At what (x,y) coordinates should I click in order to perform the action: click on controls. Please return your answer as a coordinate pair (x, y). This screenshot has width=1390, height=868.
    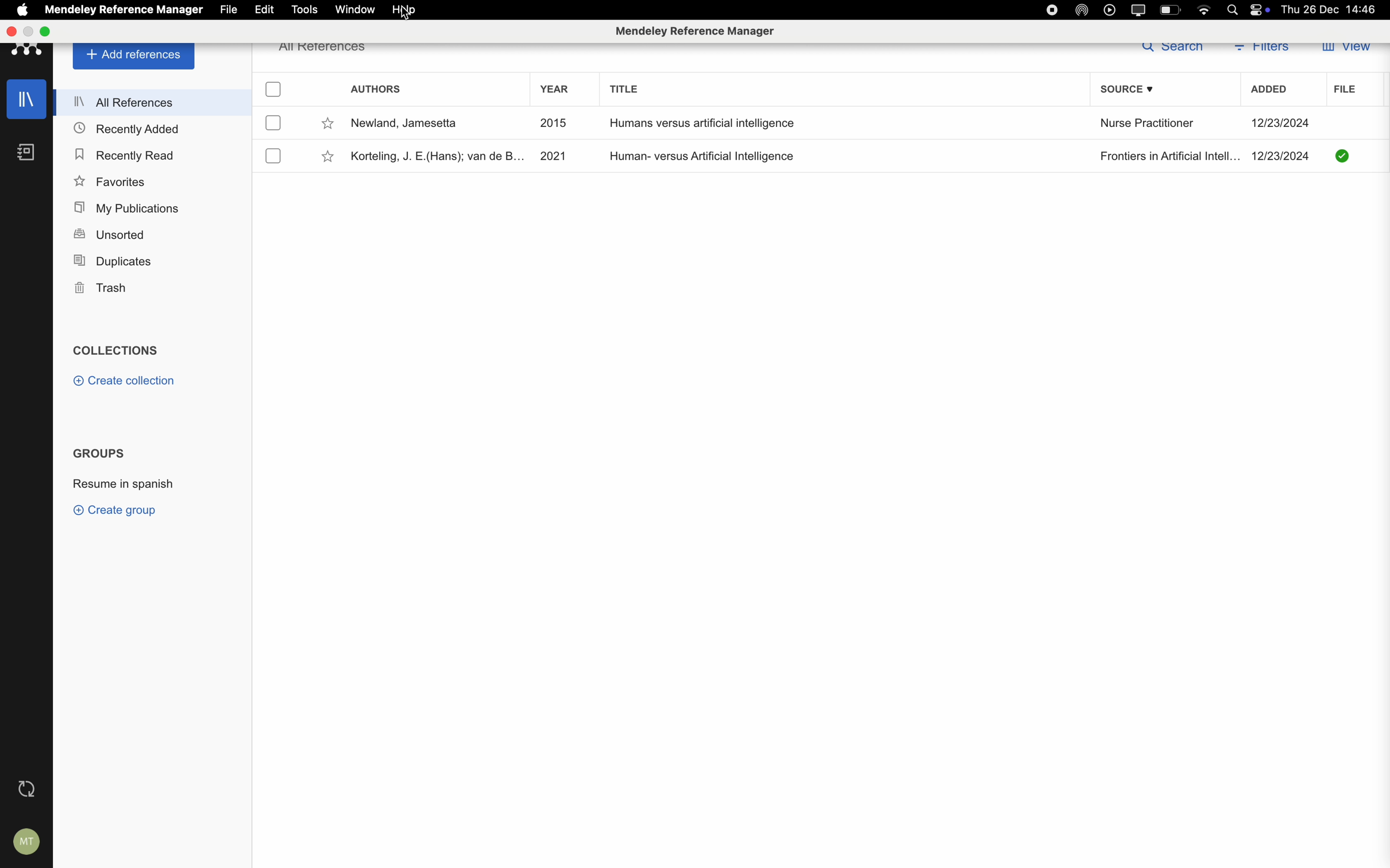
    Looking at the image, I should click on (1262, 9).